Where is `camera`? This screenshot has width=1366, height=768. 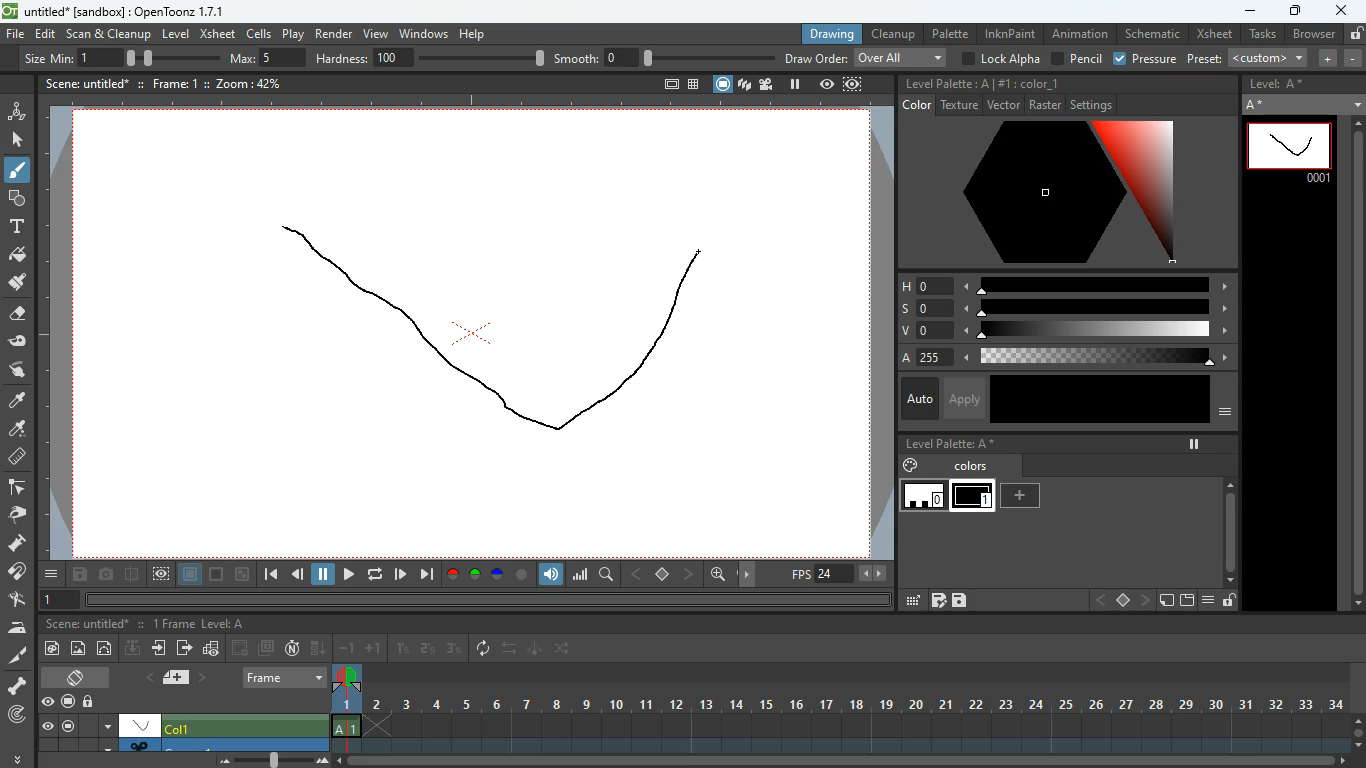 camera is located at coordinates (108, 575).